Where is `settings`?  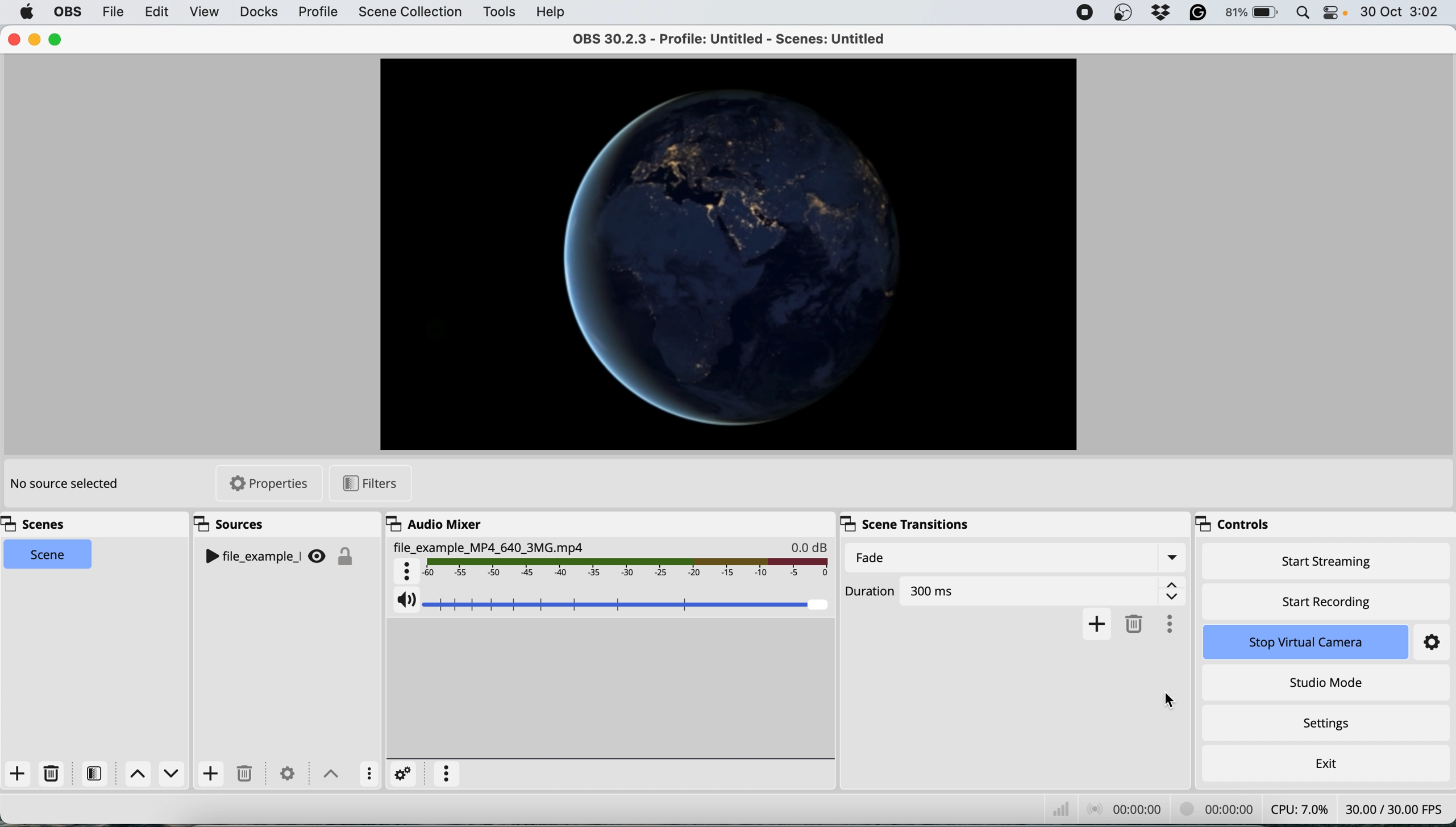 settings is located at coordinates (1333, 724).